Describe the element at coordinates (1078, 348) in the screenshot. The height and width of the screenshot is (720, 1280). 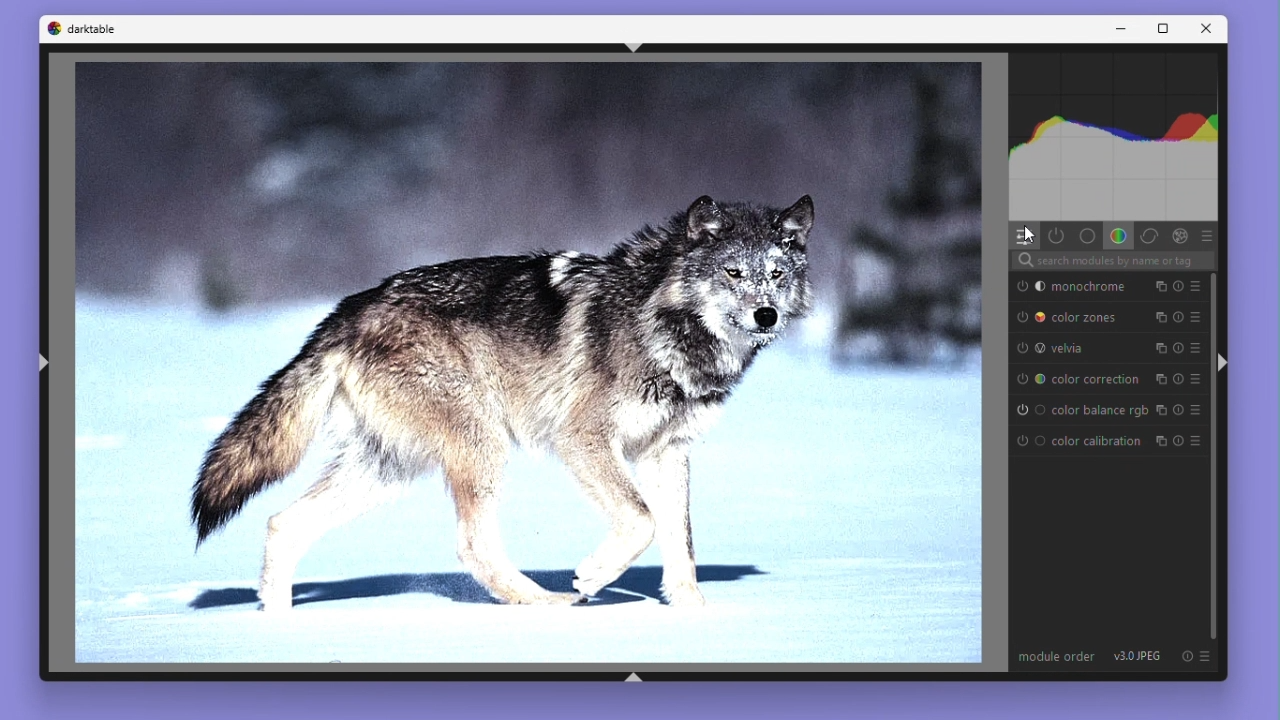
I see `velvia` at that location.